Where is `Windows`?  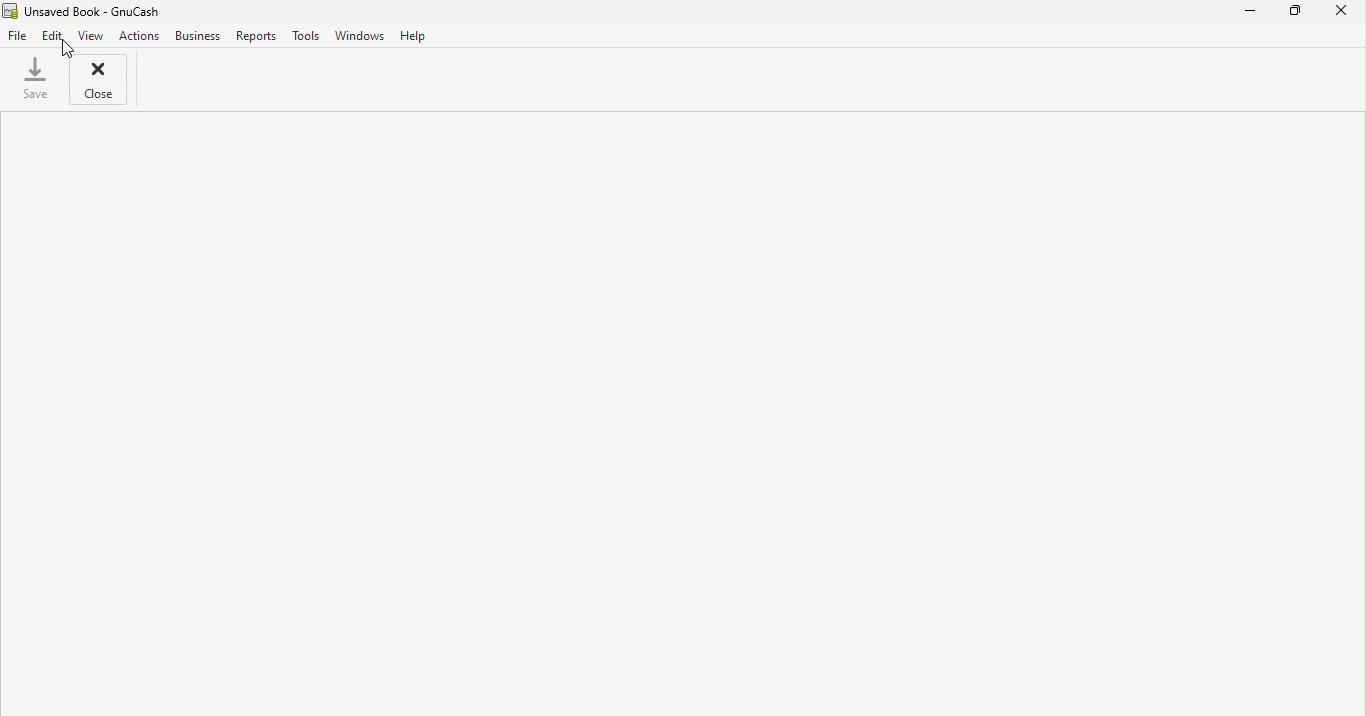 Windows is located at coordinates (357, 36).